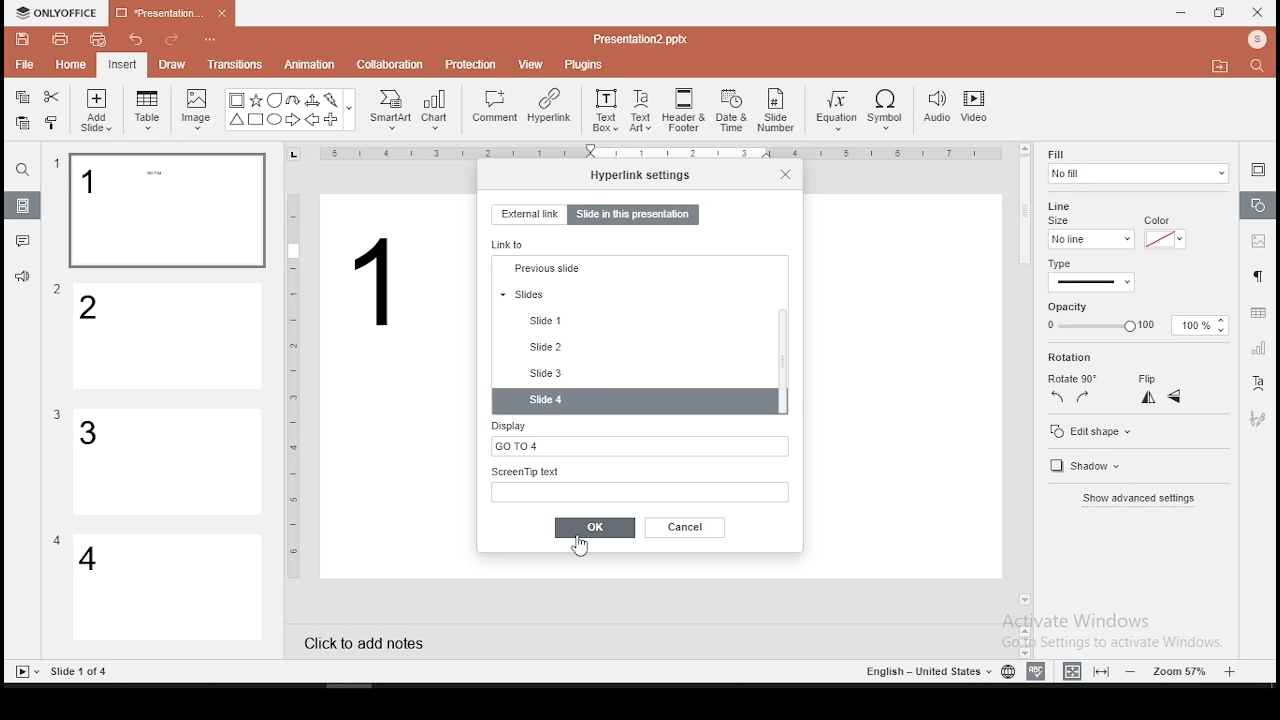 The width and height of the screenshot is (1280, 720). I want to click on collaboration, so click(392, 63).